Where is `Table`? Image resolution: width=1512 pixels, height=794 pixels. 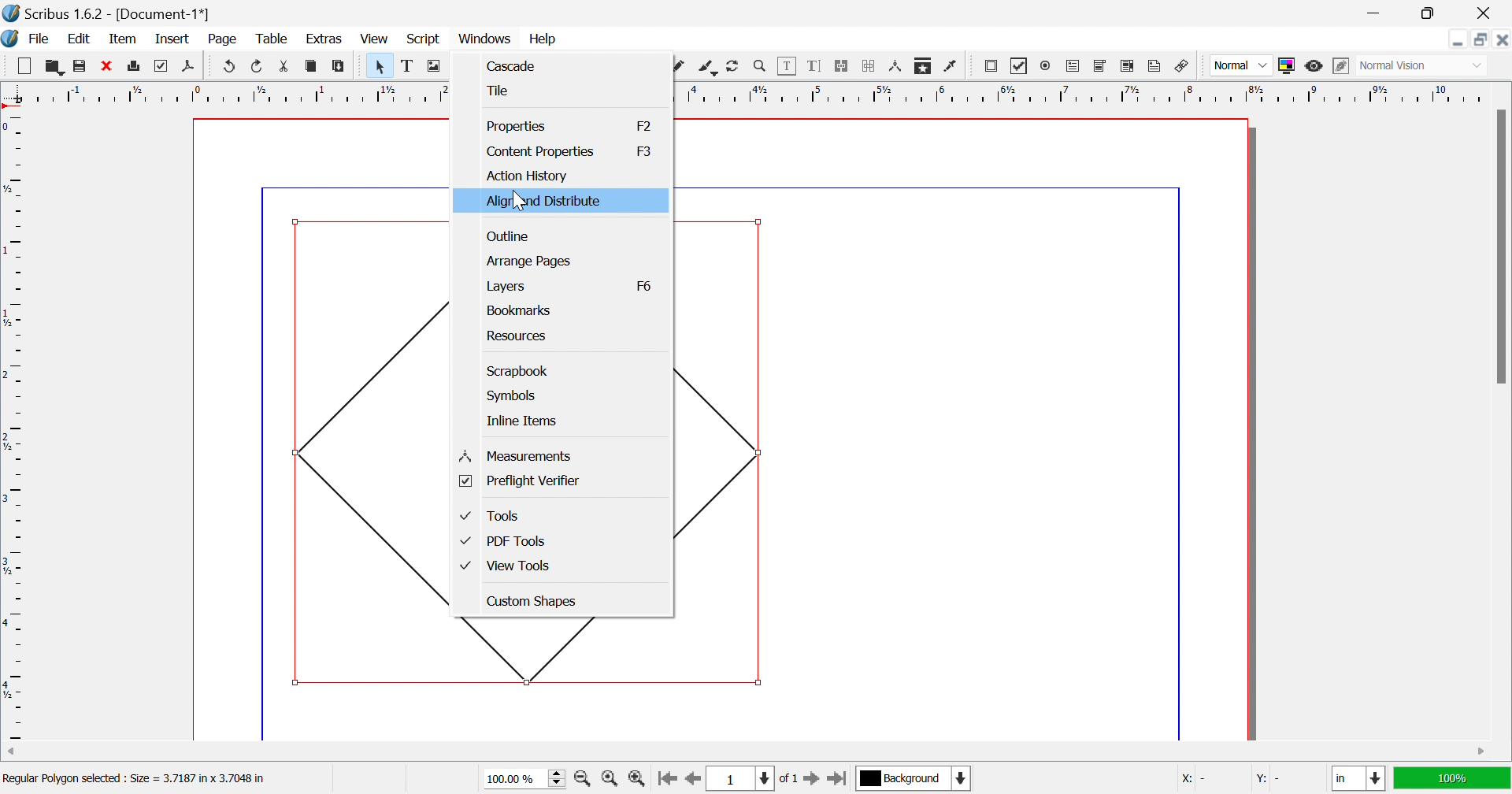 Table is located at coordinates (489, 67).